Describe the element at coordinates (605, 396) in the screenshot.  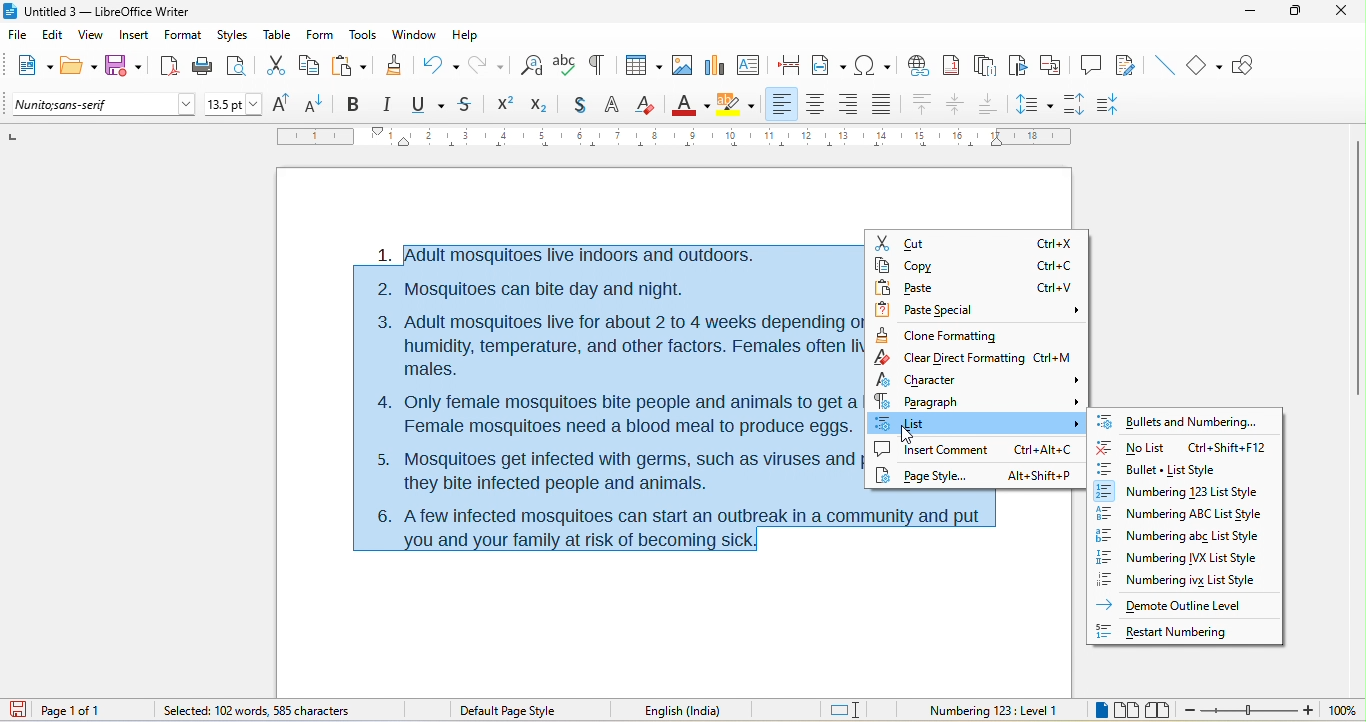
I see `1. |Adult mosquitoes live indoors and outdoors.

2. Mosquitoes can bite day and night.

3. Adult mosquitoes live for about 2 to 4 weeks depending on the species,
humidity, temperature, and other factors. Females often live longer than
males.

4. Only female mosquitoes bite people and animals to get a blood meal.
Female mosquitoes need a blood meal to produce eggs.

5. Mosquitoes get infected with germs, such as viruses and parasites, when
they bite infected people and animals. i

6. Afew infected mosquitoes can start an outbreak in a community and put
you and your family at risk of becoming sick.` at that location.